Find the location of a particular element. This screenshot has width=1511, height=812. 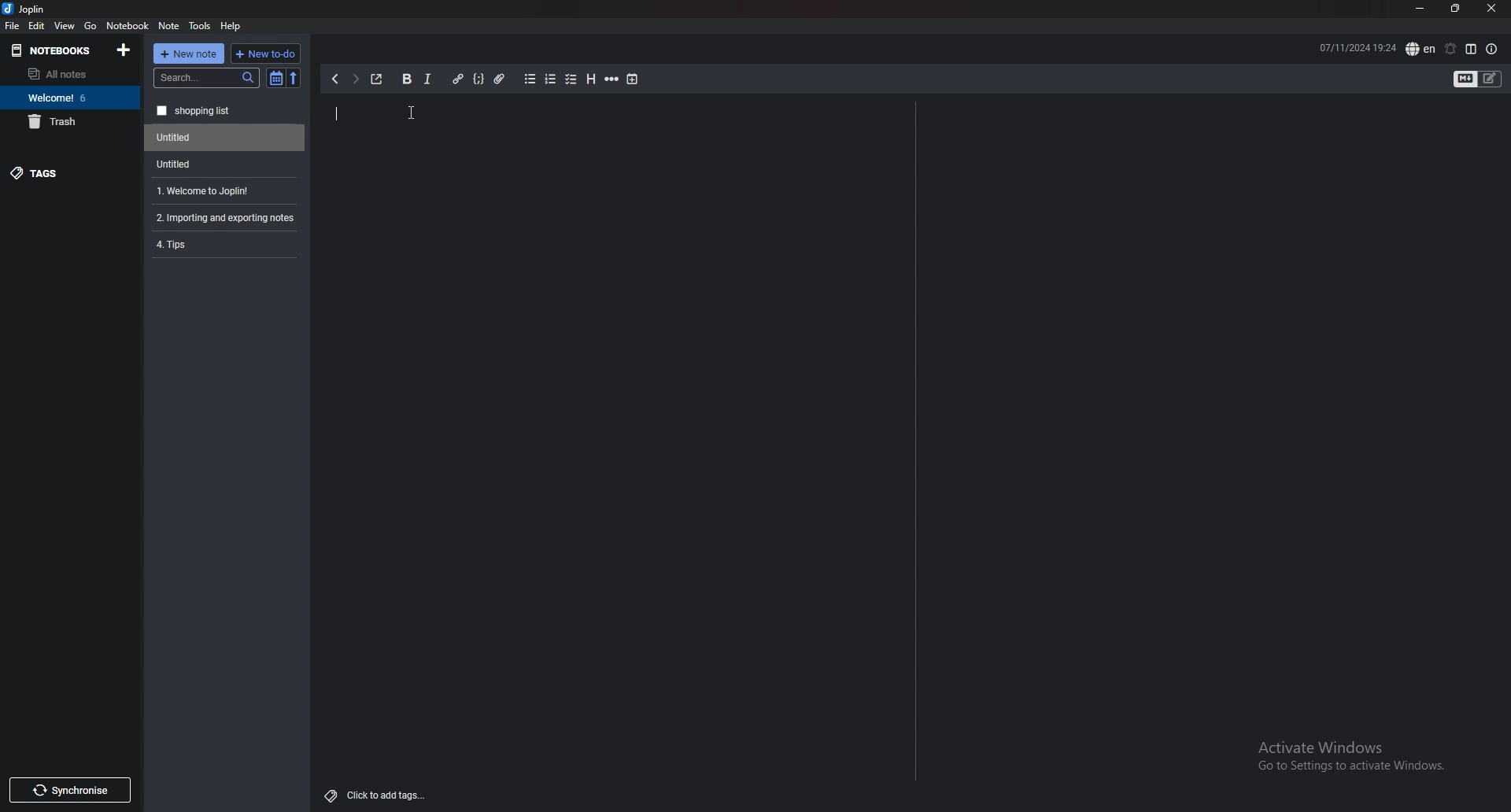

Tips is located at coordinates (224, 243).